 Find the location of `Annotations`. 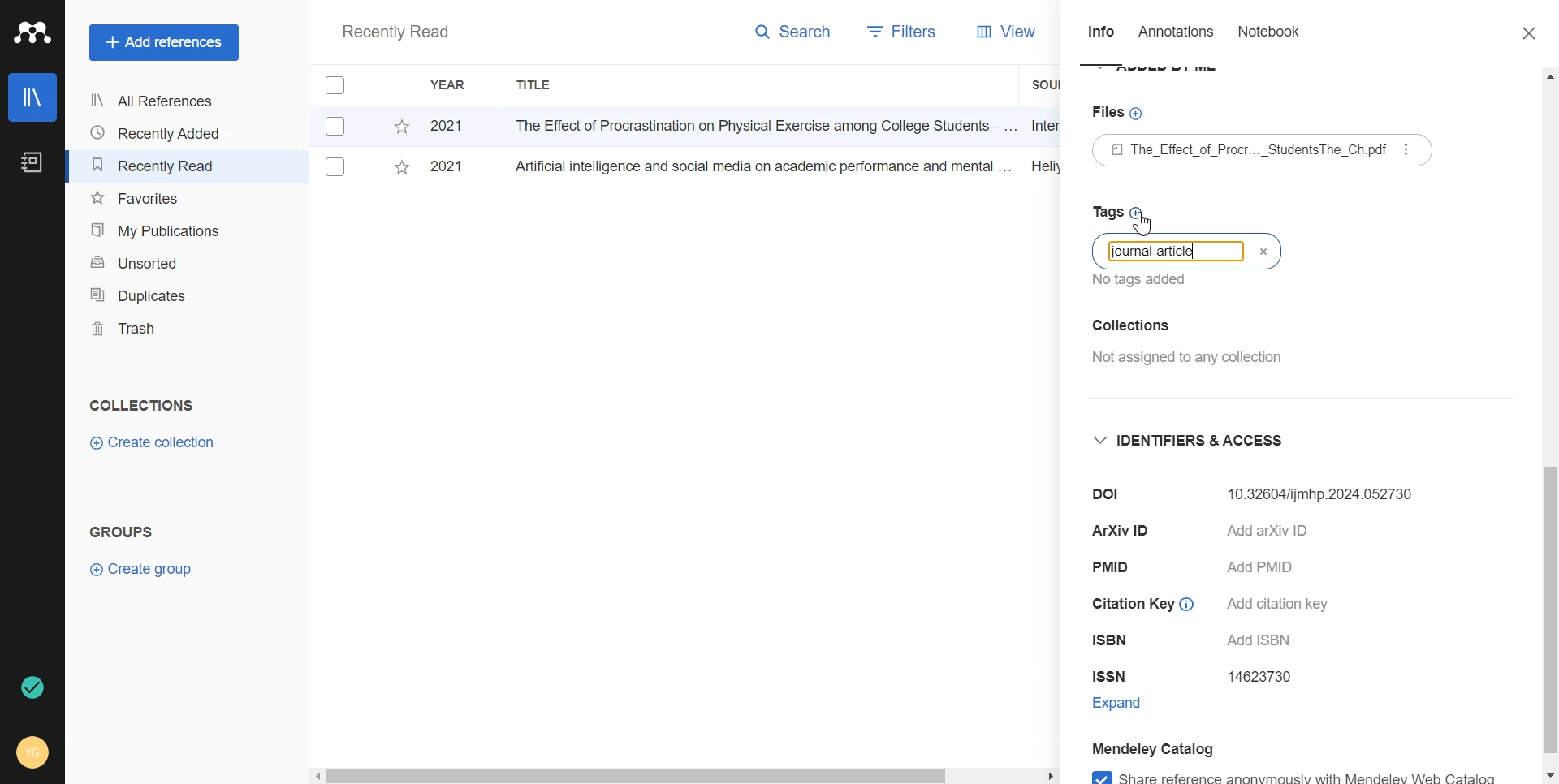

Annotations is located at coordinates (1178, 36).